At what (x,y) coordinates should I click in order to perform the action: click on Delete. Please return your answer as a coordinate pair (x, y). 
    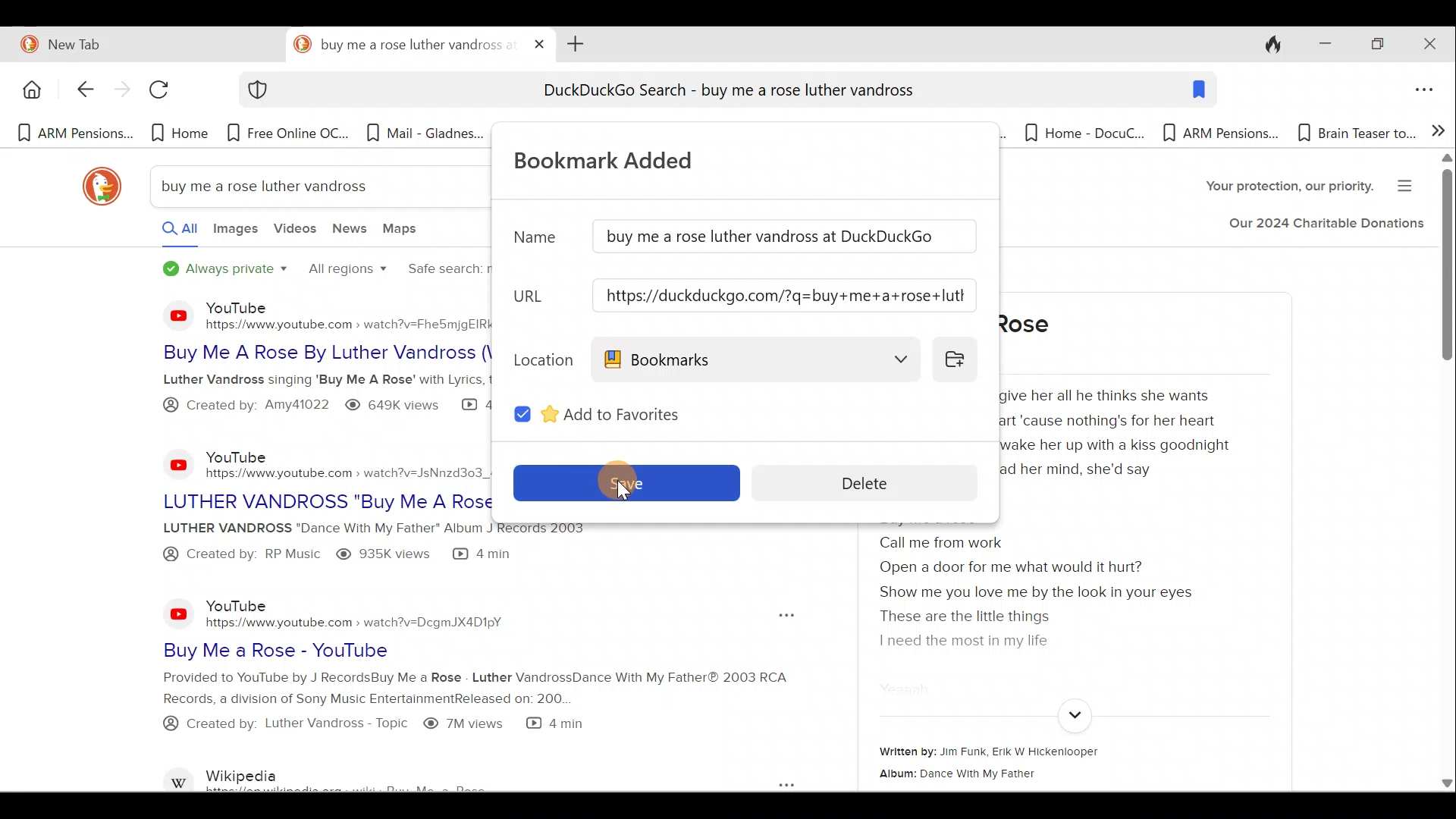
    Looking at the image, I should click on (877, 482).